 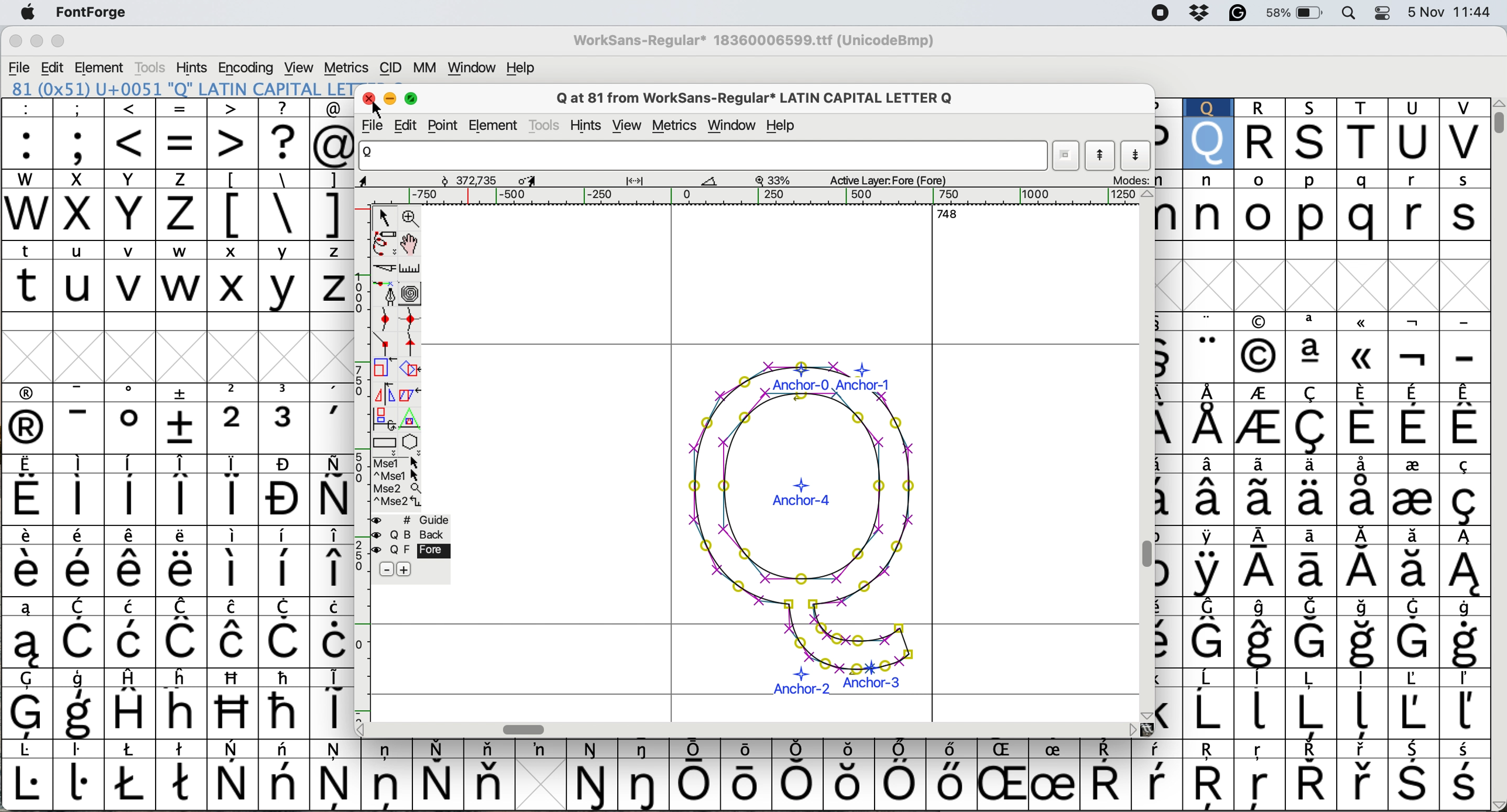 What do you see at coordinates (1238, 14) in the screenshot?
I see `grammarly` at bounding box center [1238, 14].